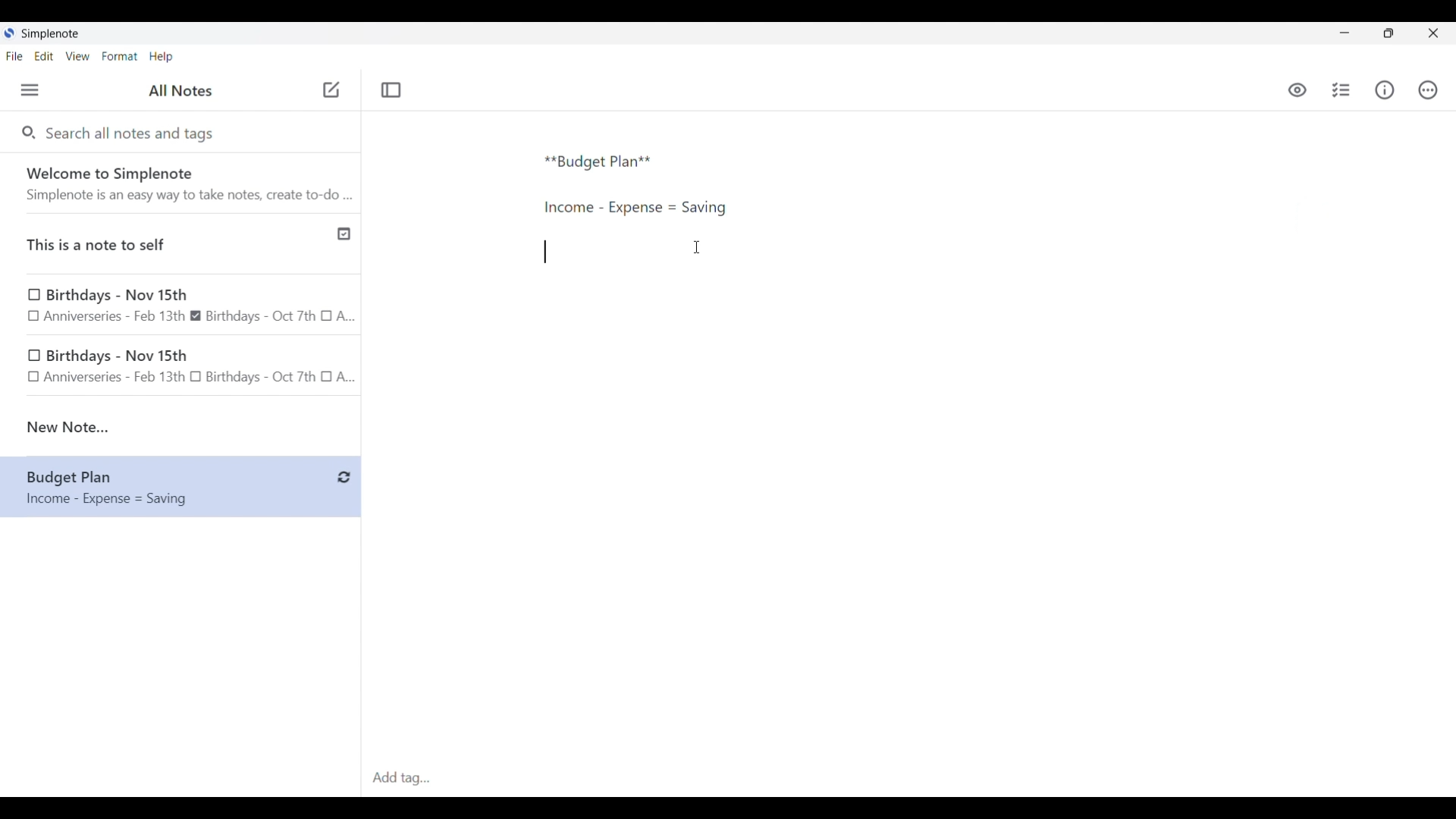 Image resolution: width=1456 pixels, height=819 pixels. I want to click on Search all notes and tags, so click(133, 132).